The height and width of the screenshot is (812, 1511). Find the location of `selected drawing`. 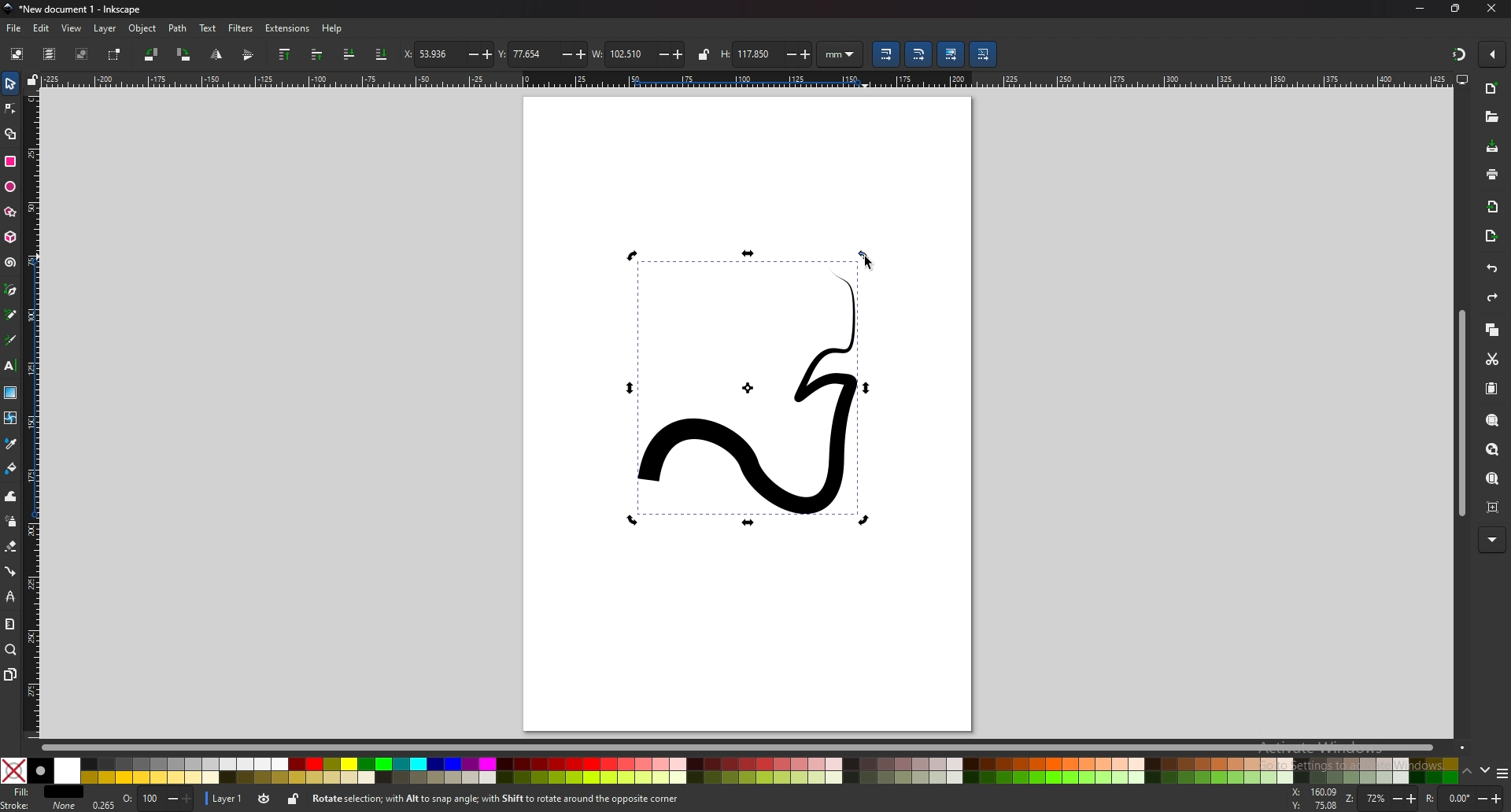

selected drawing is located at coordinates (752, 389).